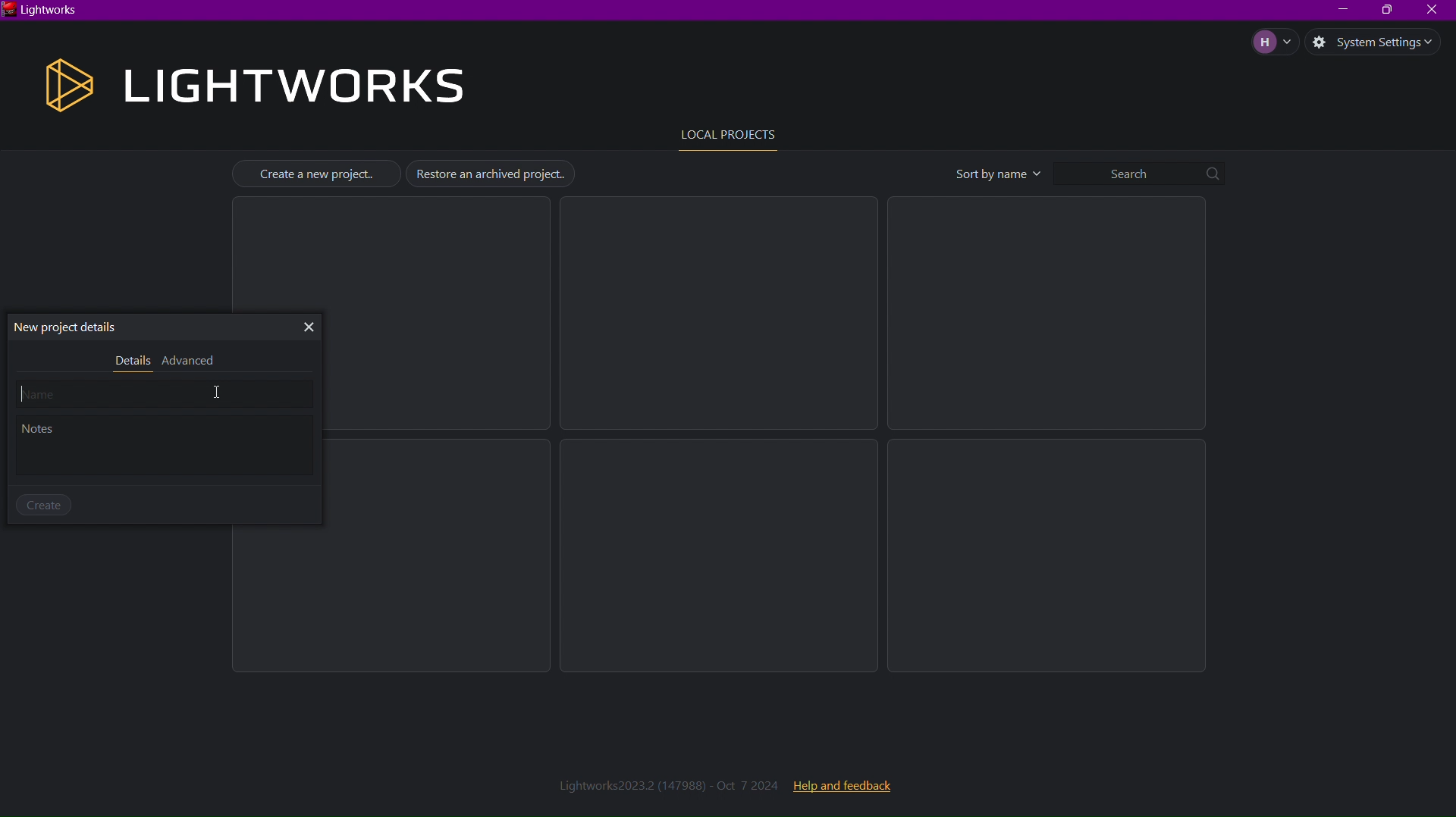 This screenshot has width=1456, height=817. What do you see at coordinates (996, 174) in the screenshot?
I see `Sort by name` at bounding box center [996, 174].